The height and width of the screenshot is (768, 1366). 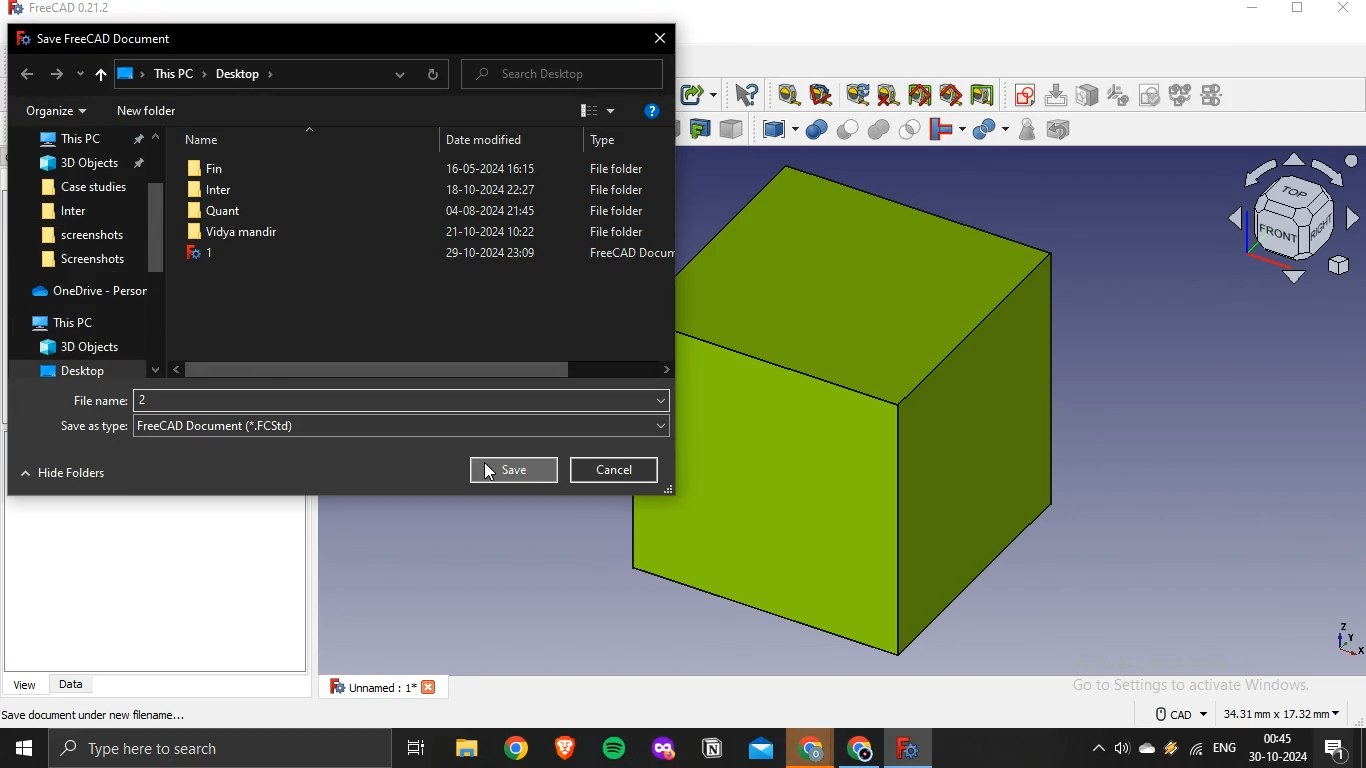 What do you see at coordinates (92, 426) in the screenshot?
I see `Save as type` at bounding box center [92, 426].